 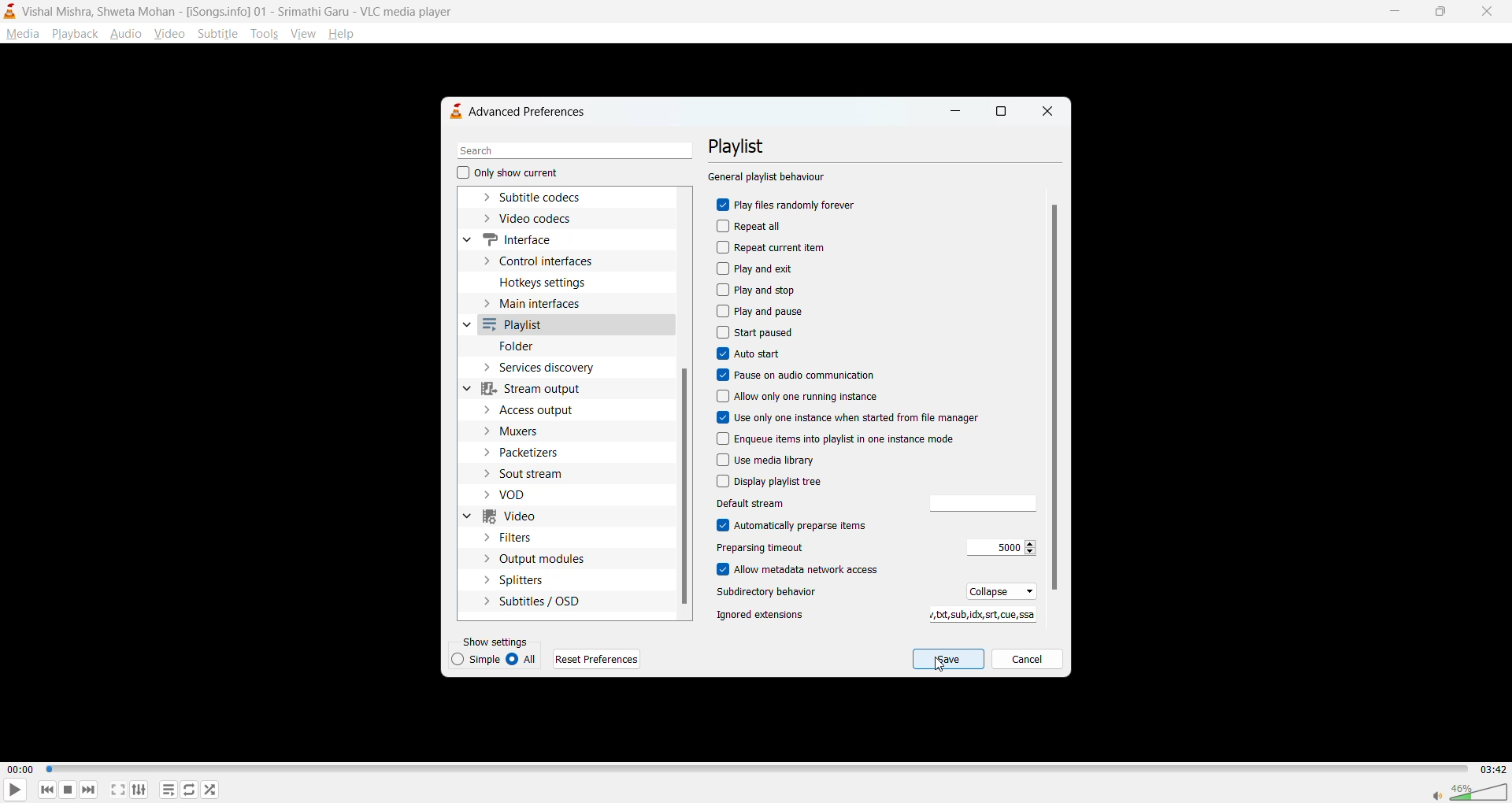 What do you see at coordinates (759, 290) in the screenshot?
I see `play and stop` at bounding box center [759, 290].